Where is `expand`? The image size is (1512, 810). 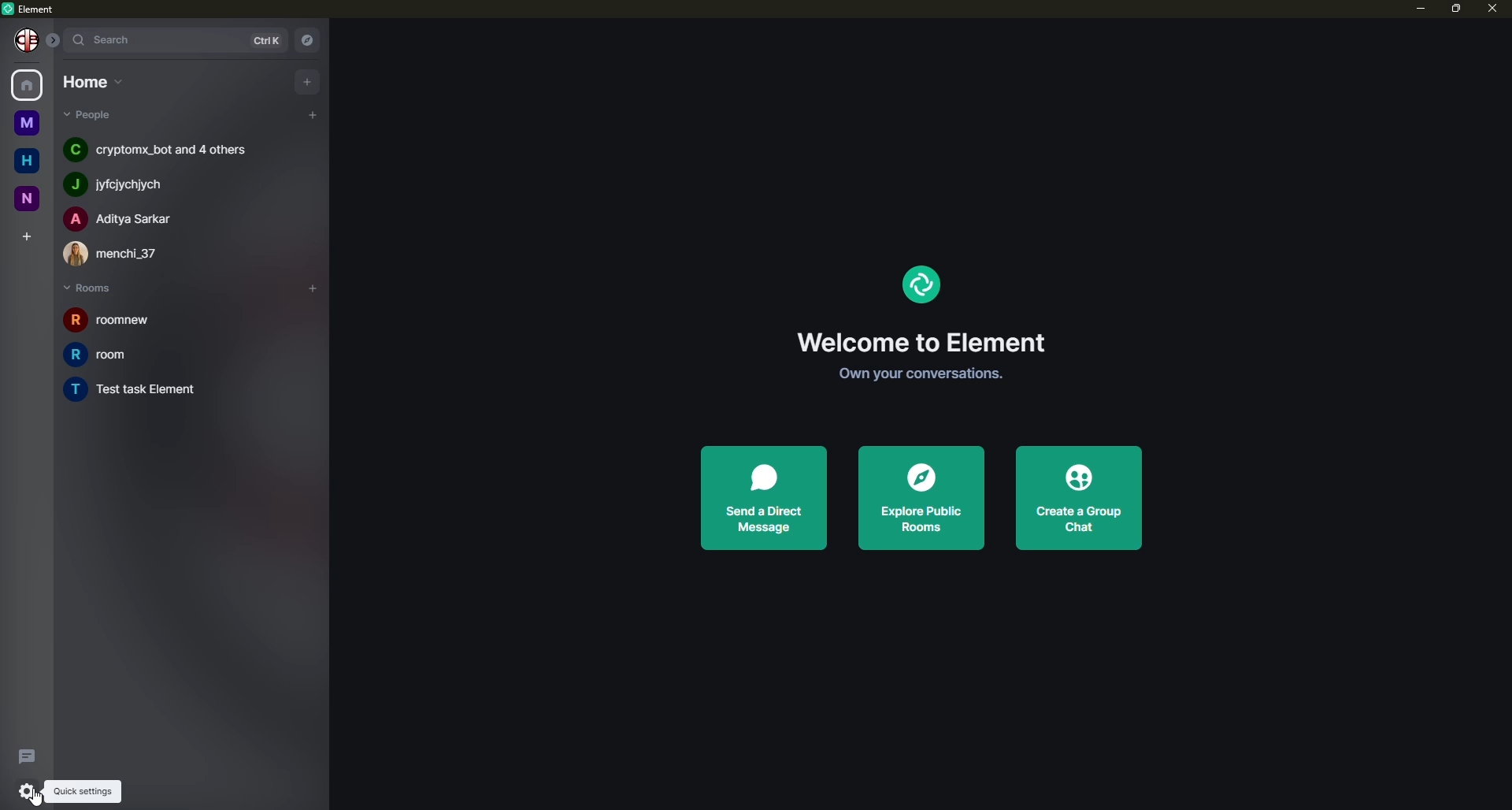
expand is located at coordinates (54, 38).